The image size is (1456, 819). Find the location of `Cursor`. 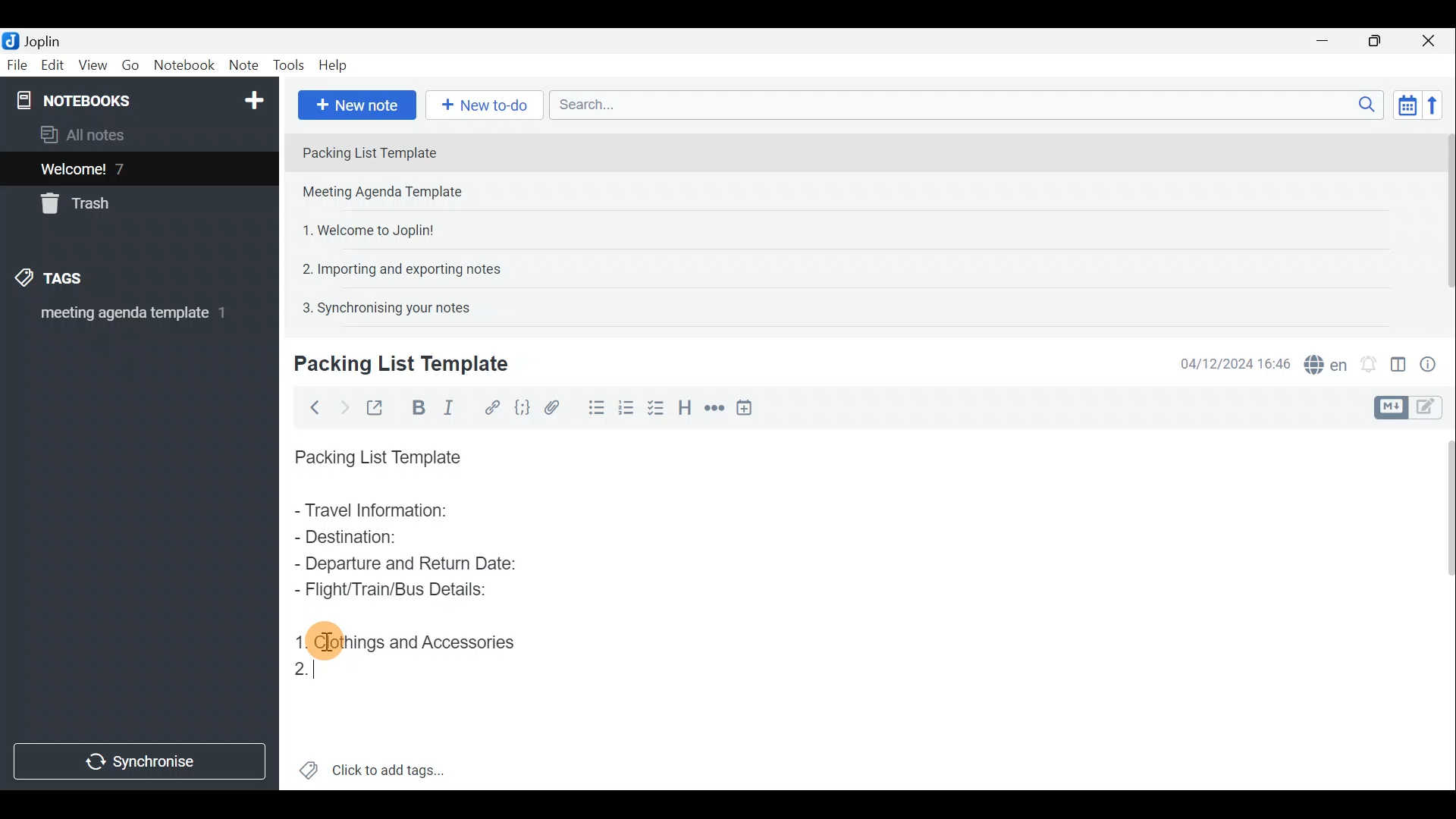

Cursor is located at coordinates (304, 674).